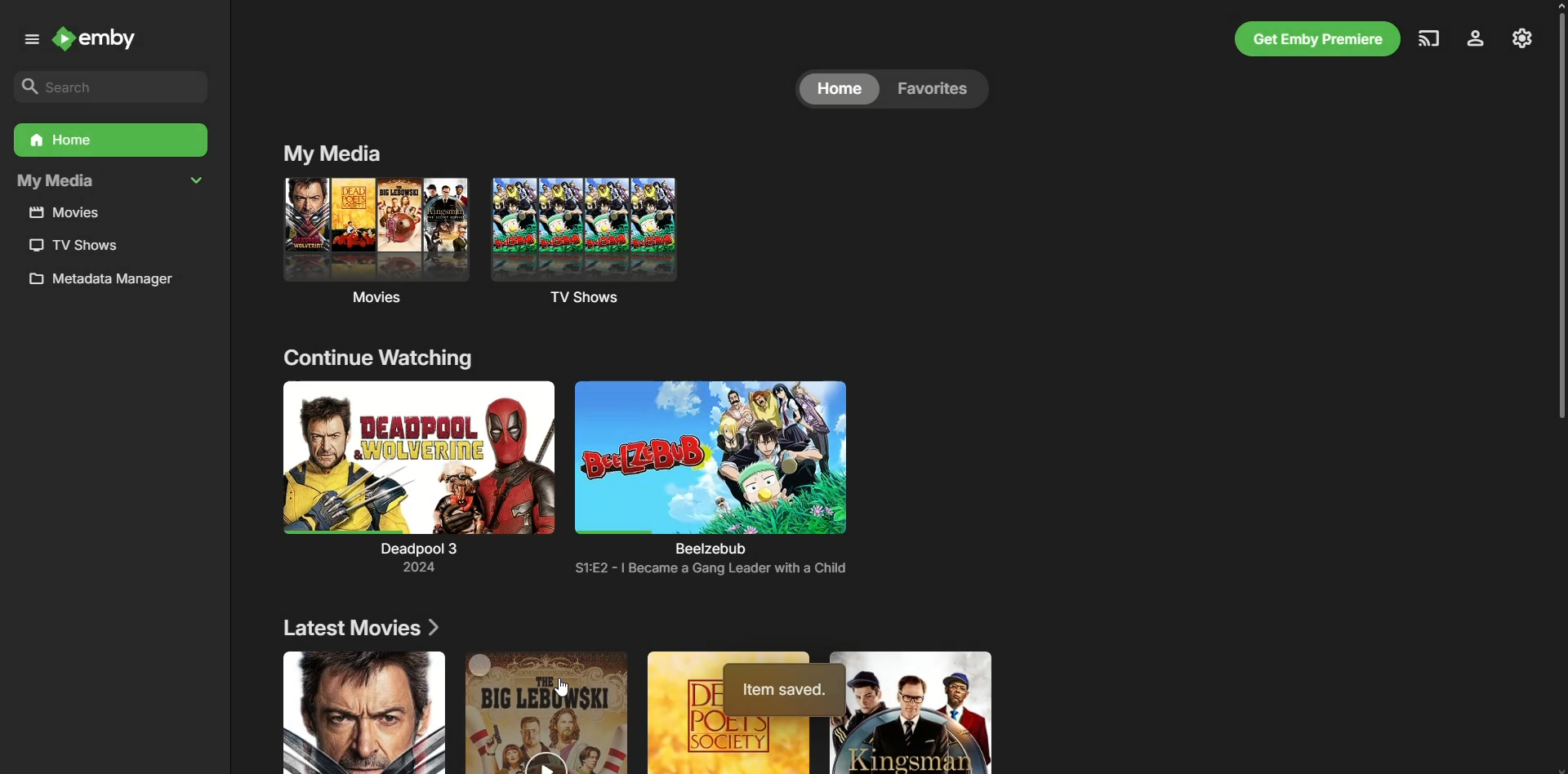 Image resolution: width=1568 pixels, height=774 pixels. What do you see at coordinates (105, 86) in the screenshot?
I see `Search` at bounding box center [105, 86].